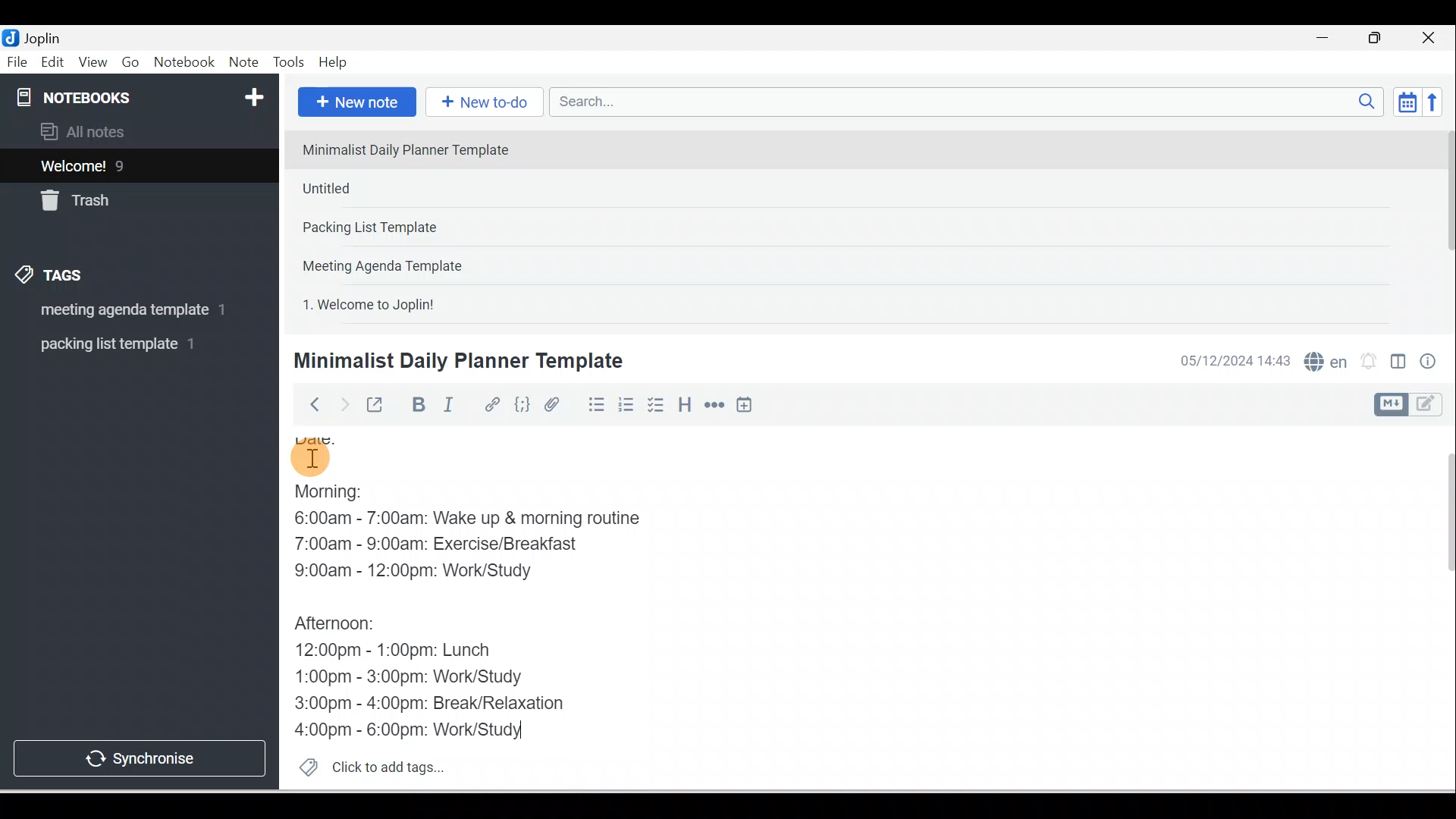  What do you see at coordinates (971, 102) in the screenshot?
I see `Search bar` at bounding box center [971, 102].